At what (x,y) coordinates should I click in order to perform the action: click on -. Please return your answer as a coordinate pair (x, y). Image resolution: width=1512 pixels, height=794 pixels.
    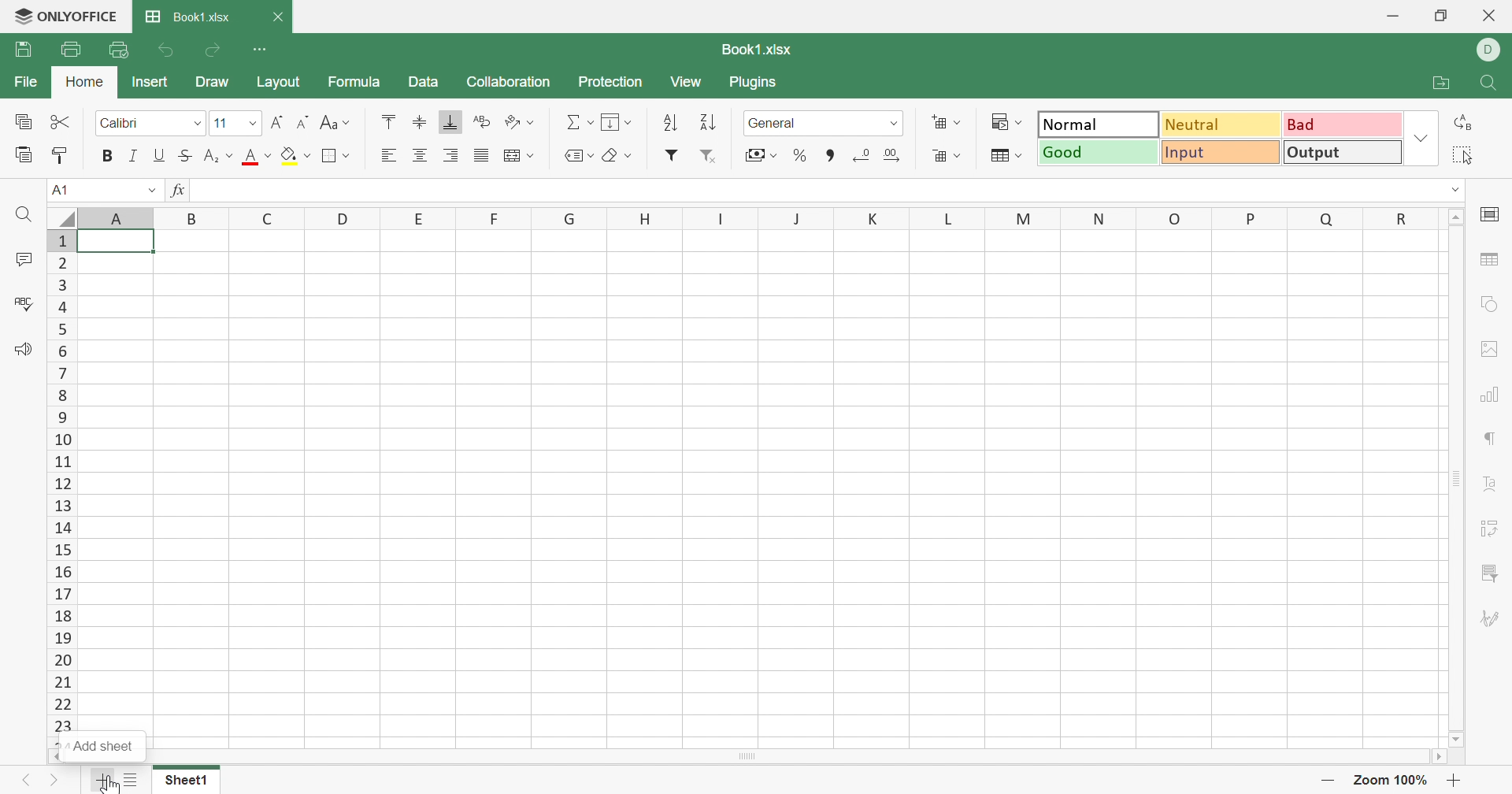
    Looking at the image, I should click on (1327, 781).